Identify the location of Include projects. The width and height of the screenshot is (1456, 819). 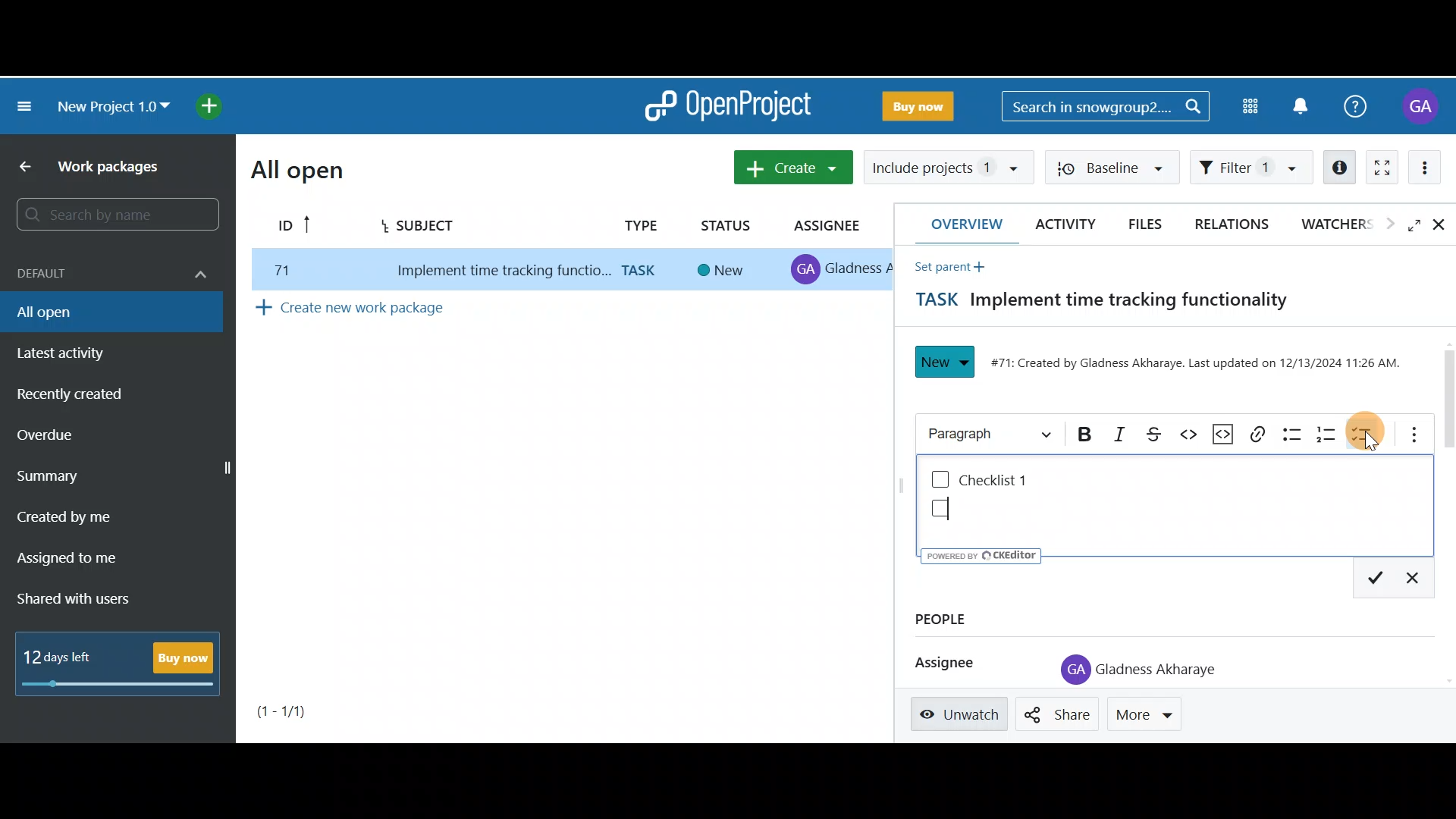
(946, 166).